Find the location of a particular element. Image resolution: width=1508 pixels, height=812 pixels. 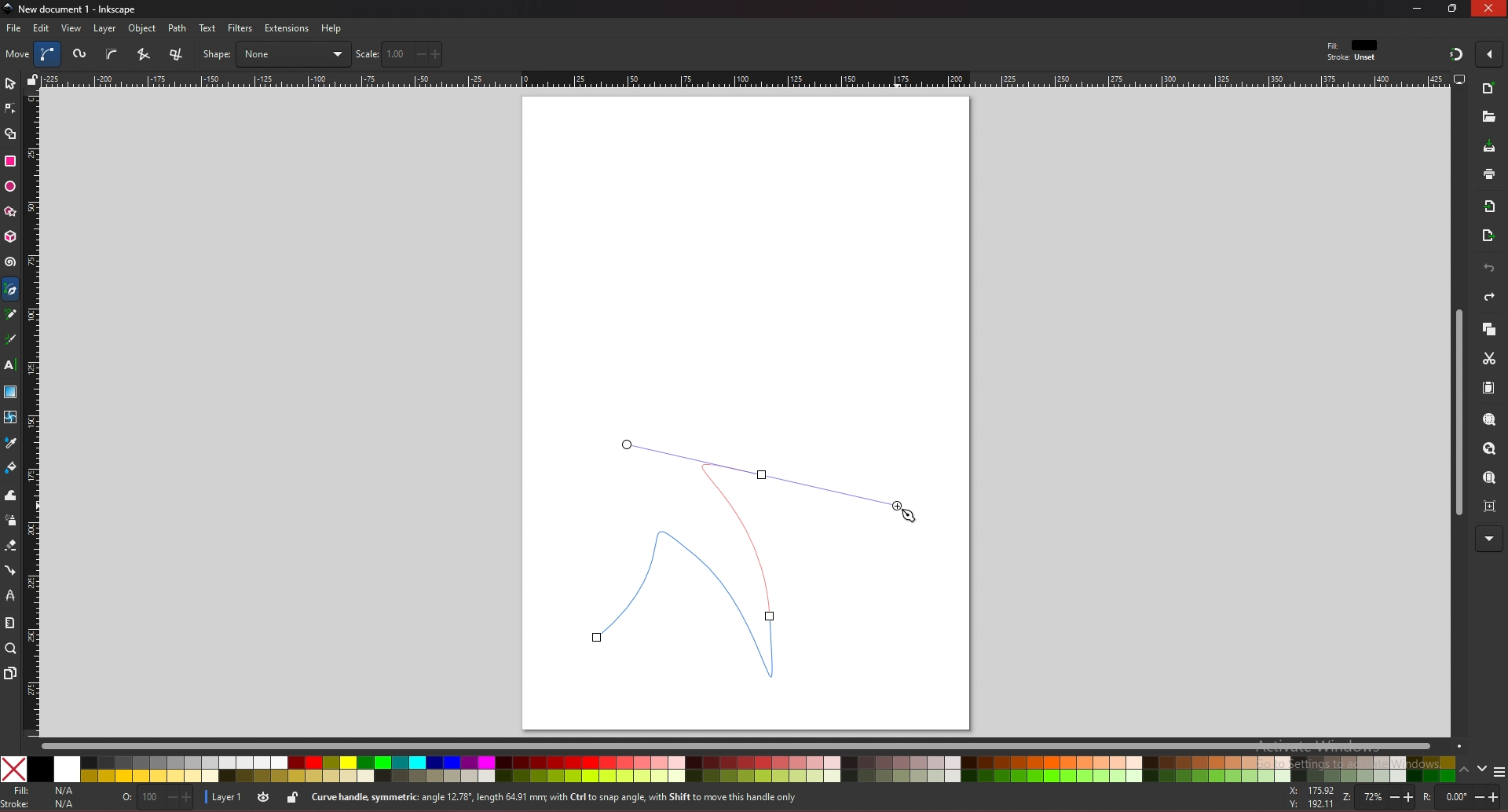

shape is located at coordinates (276, 54).